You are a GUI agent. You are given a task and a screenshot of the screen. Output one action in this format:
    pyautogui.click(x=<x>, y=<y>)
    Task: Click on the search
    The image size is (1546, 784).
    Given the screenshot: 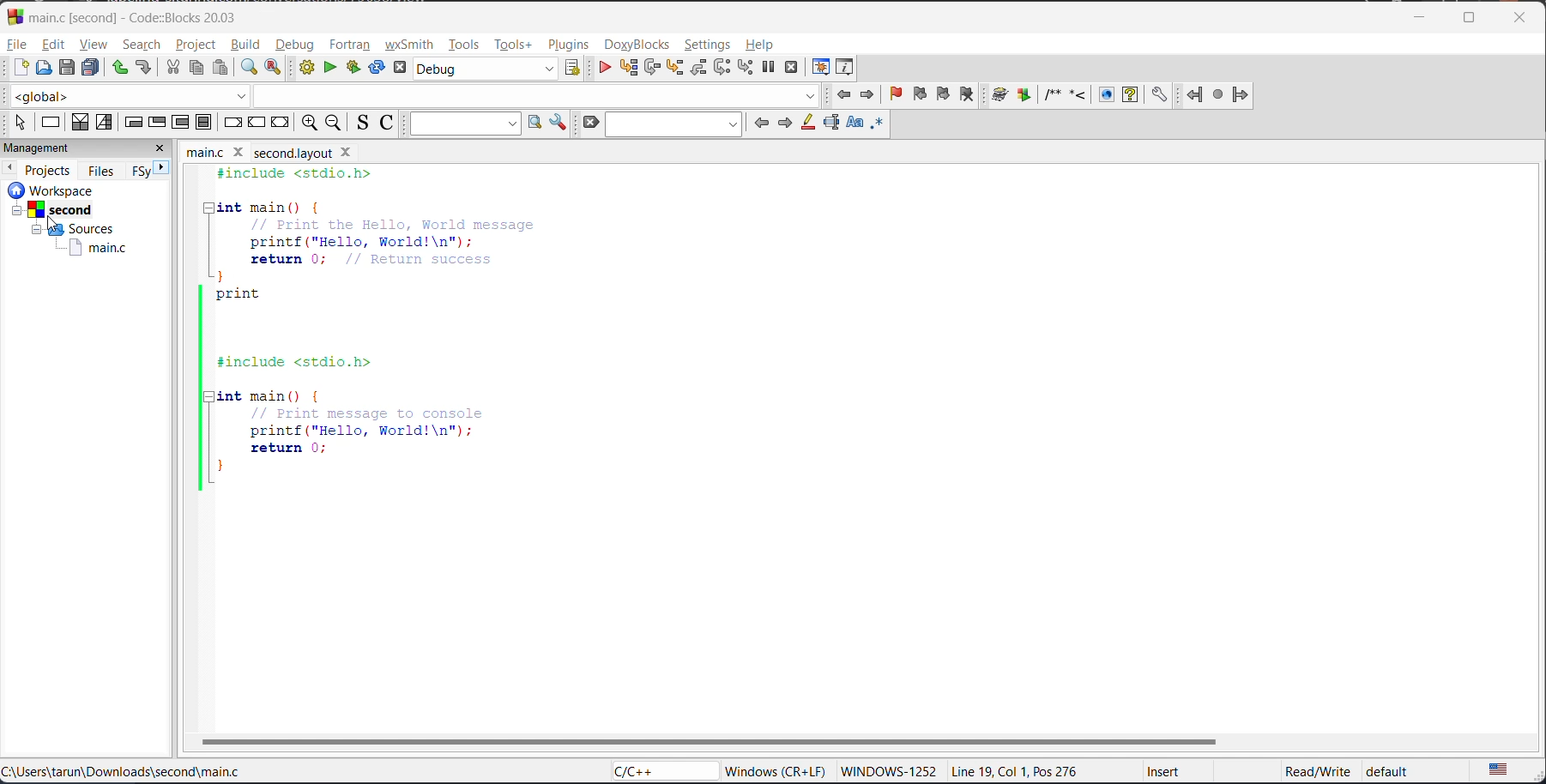 What is the action you would take?
    pyautogui.click(x=671, y=122)
    